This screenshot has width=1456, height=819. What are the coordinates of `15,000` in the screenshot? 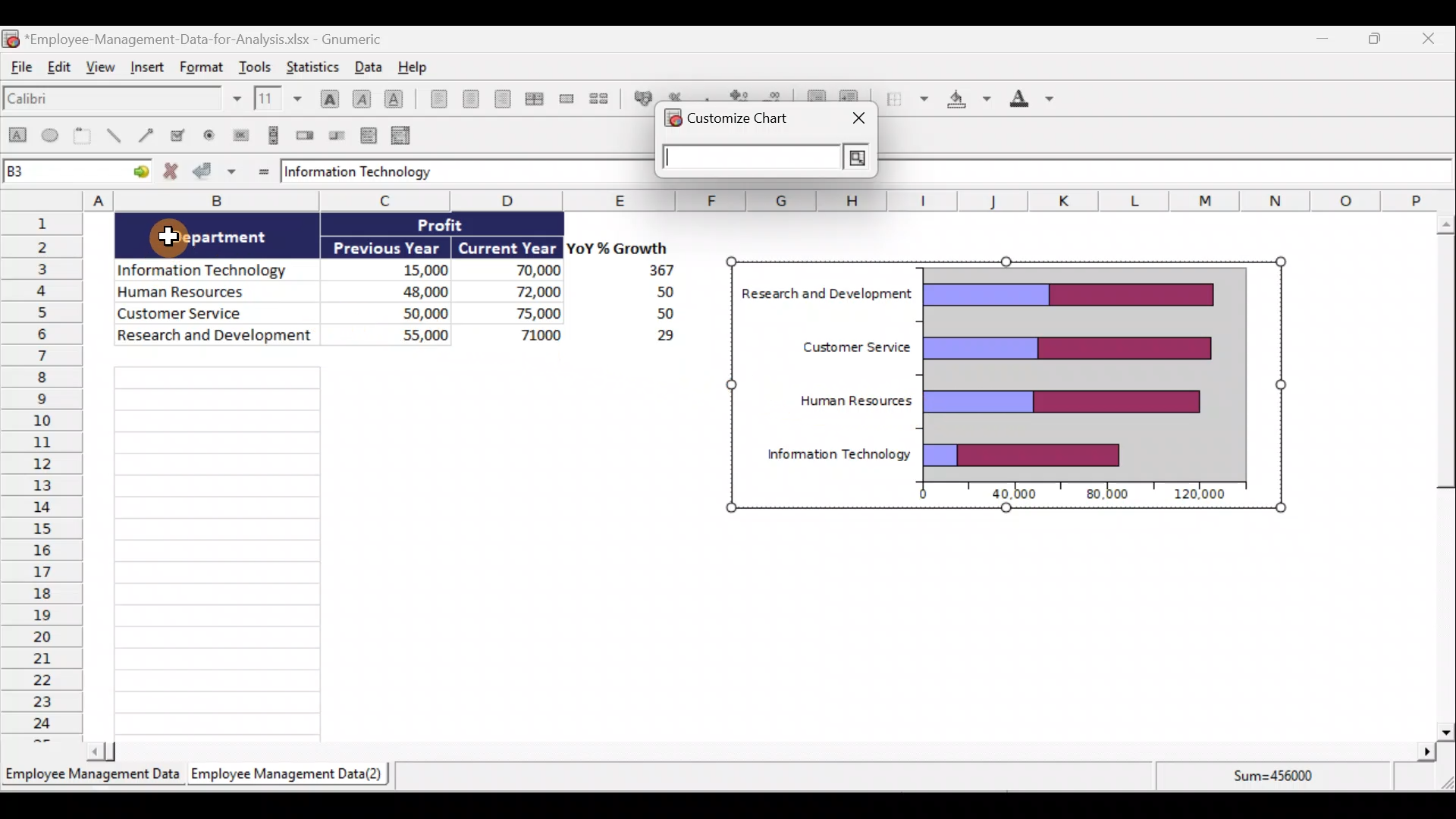 It's located at (413, 268).